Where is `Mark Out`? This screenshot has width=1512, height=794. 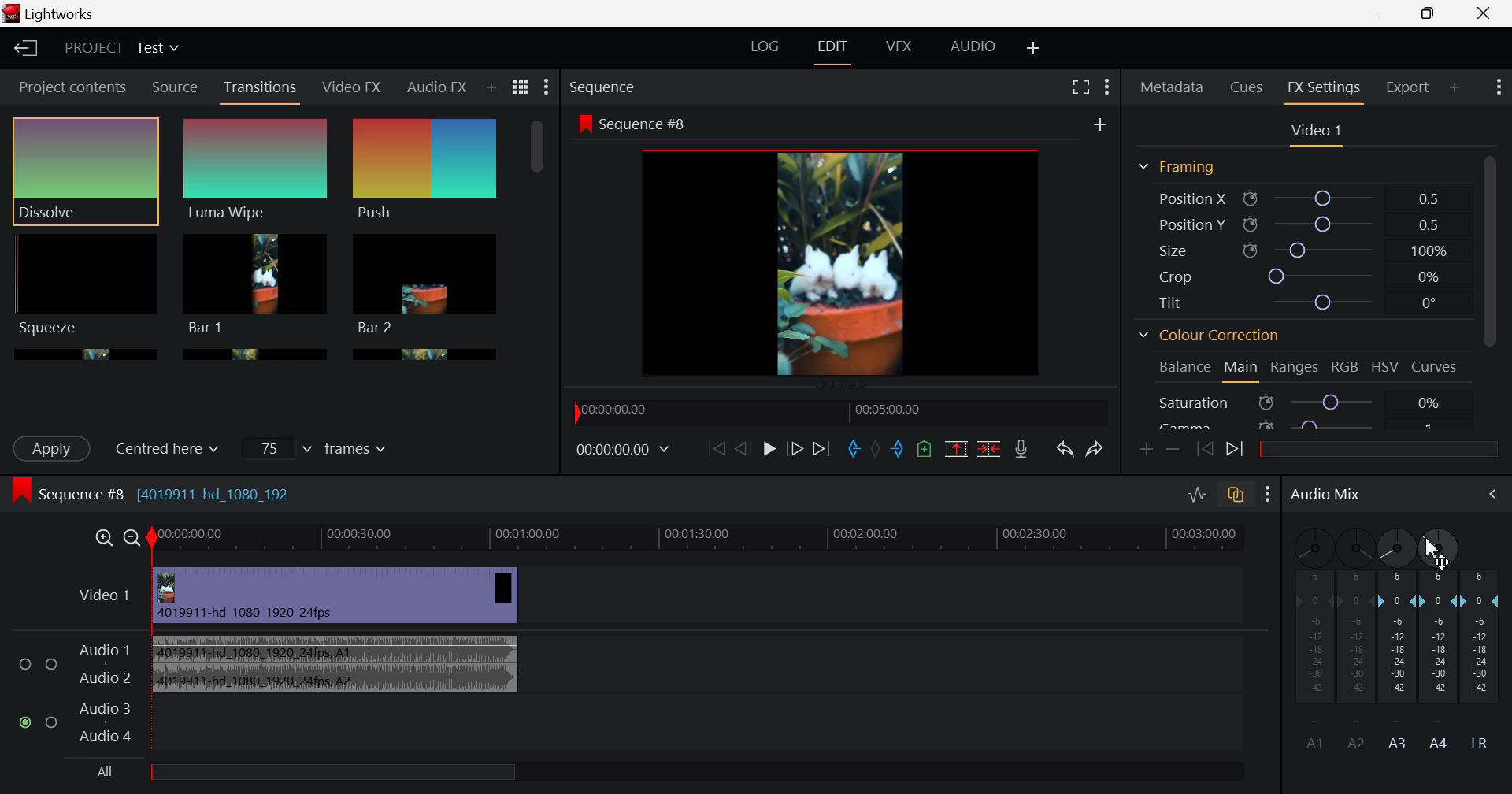 Mark Out is located at coordinates (898, 449).